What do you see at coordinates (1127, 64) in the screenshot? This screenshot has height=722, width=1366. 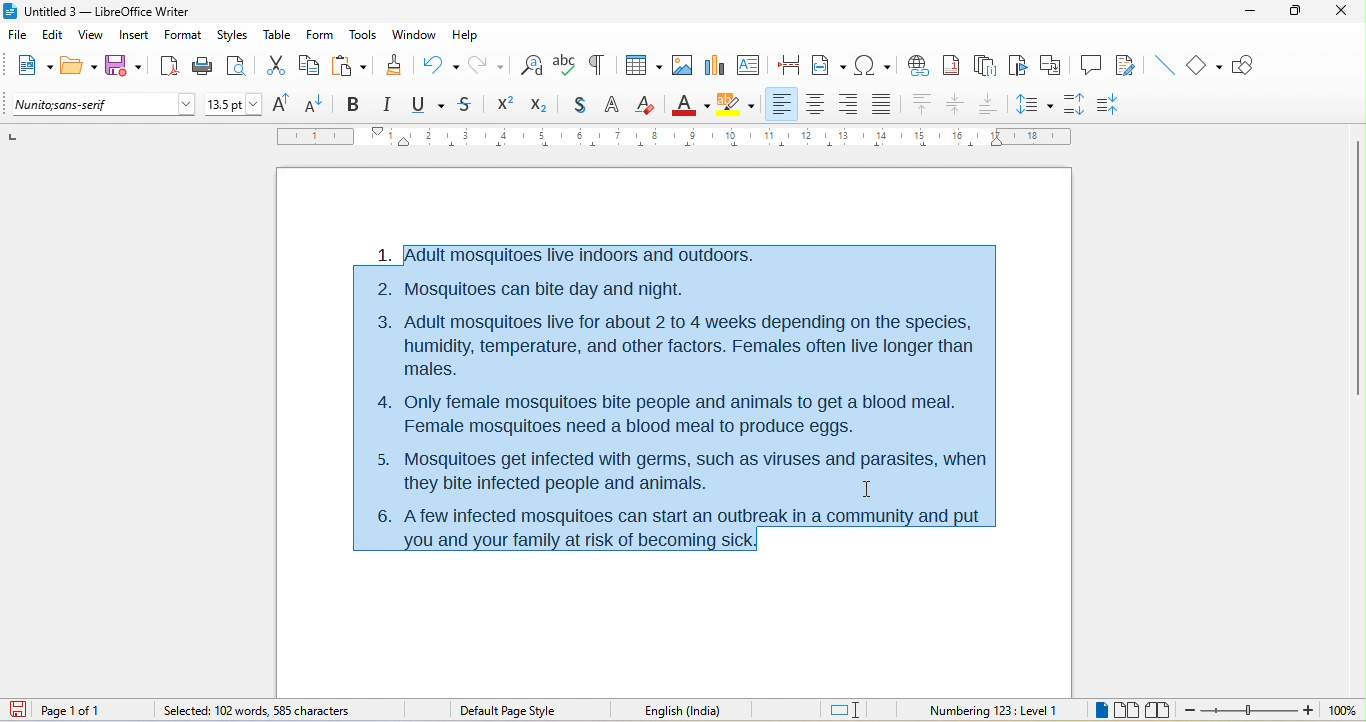 I see `show track changes function` at bounding box center [1127, 64].